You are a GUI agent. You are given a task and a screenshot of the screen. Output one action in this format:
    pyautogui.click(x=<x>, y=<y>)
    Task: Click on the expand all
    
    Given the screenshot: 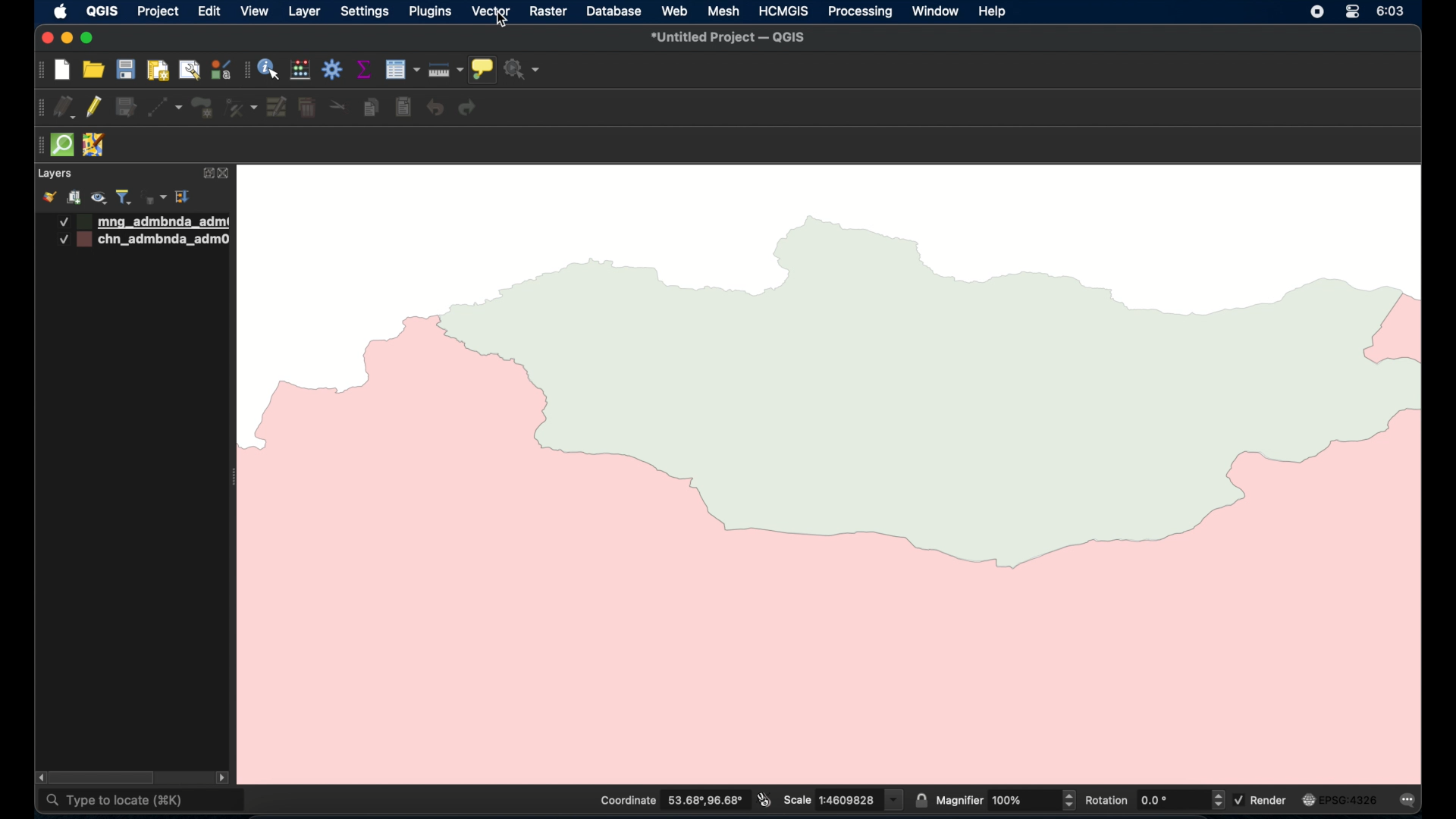 What is the action you would take?
    pyautogui.click(x=184, y=197)
    